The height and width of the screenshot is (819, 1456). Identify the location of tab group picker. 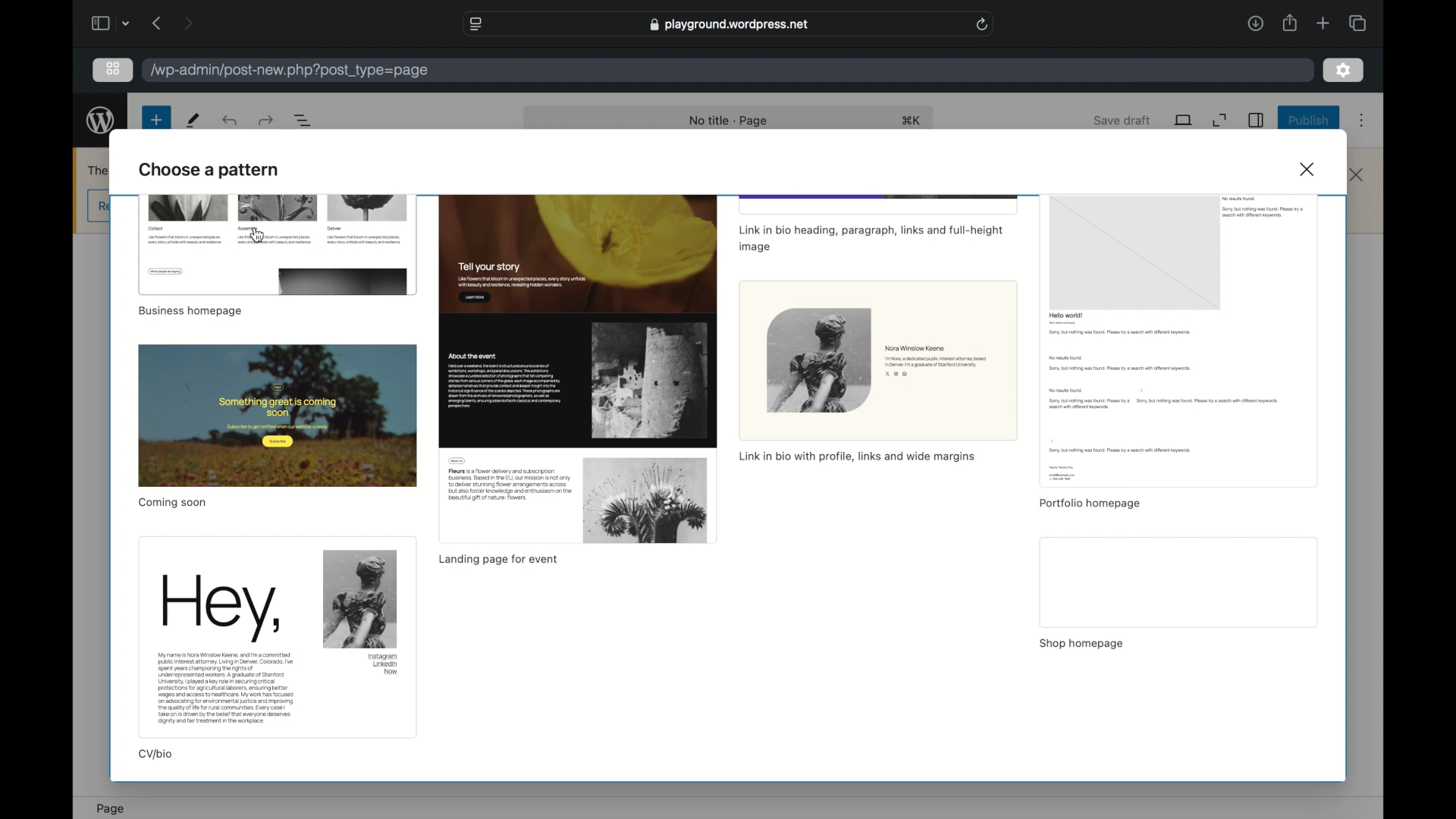
(1357, 23).